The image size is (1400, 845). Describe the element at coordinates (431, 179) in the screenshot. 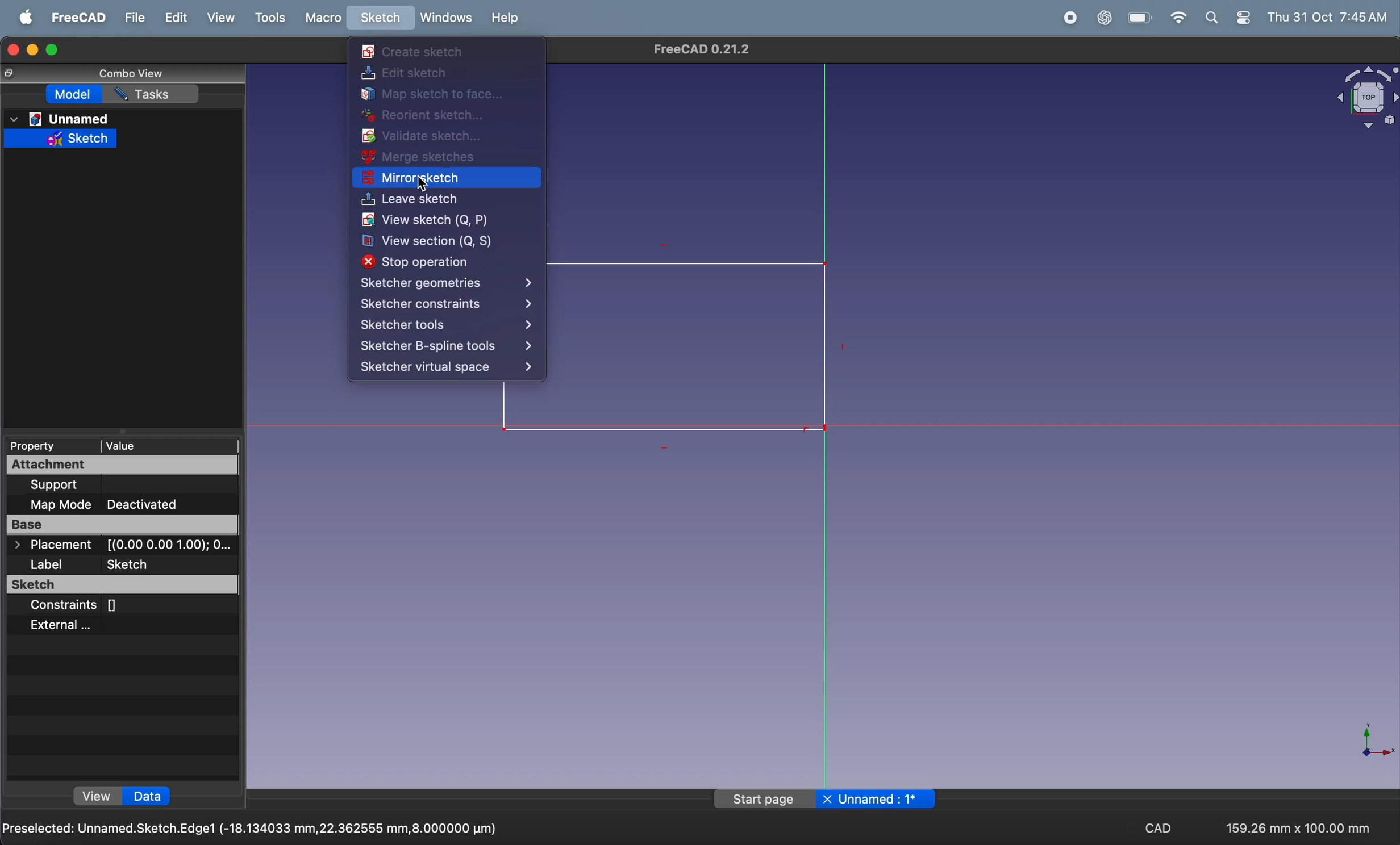

I see `mirror sketch` at that location.